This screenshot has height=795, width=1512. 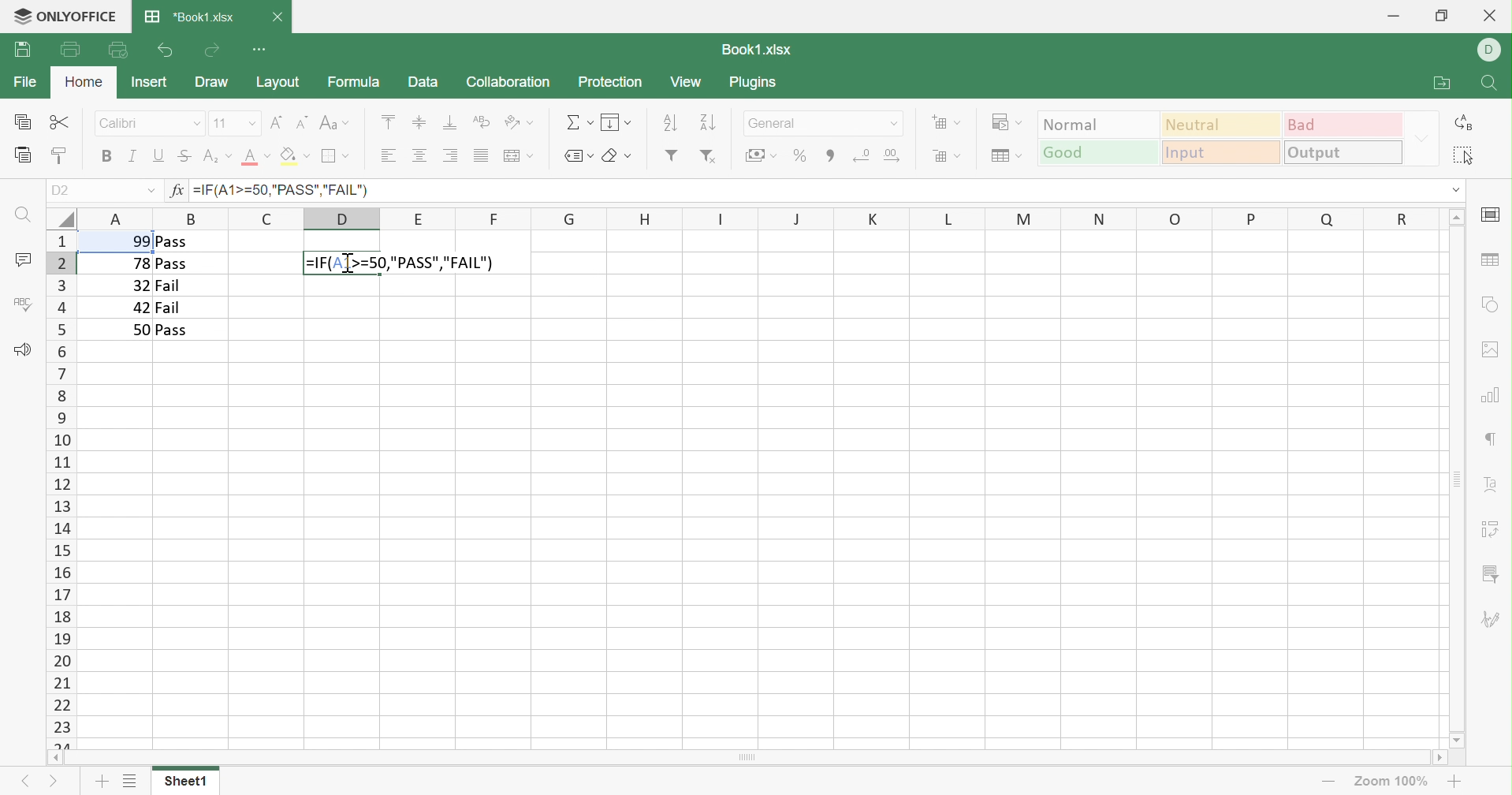 What do you see at coordinates (134, 156) in the screenshot?
I see `Italic` at bounding box center [134, 156].